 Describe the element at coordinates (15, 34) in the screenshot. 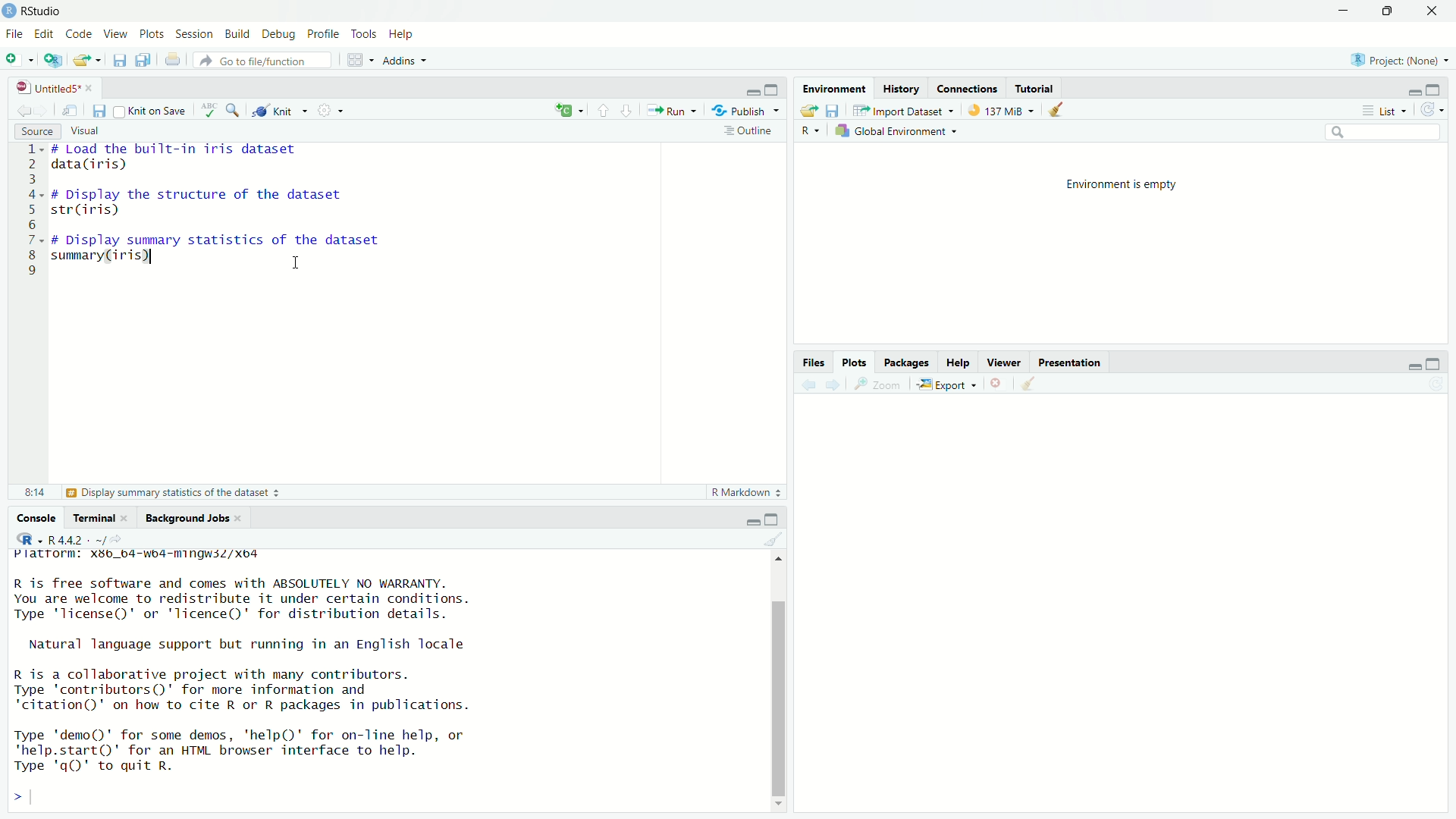

I see `File` at that location.